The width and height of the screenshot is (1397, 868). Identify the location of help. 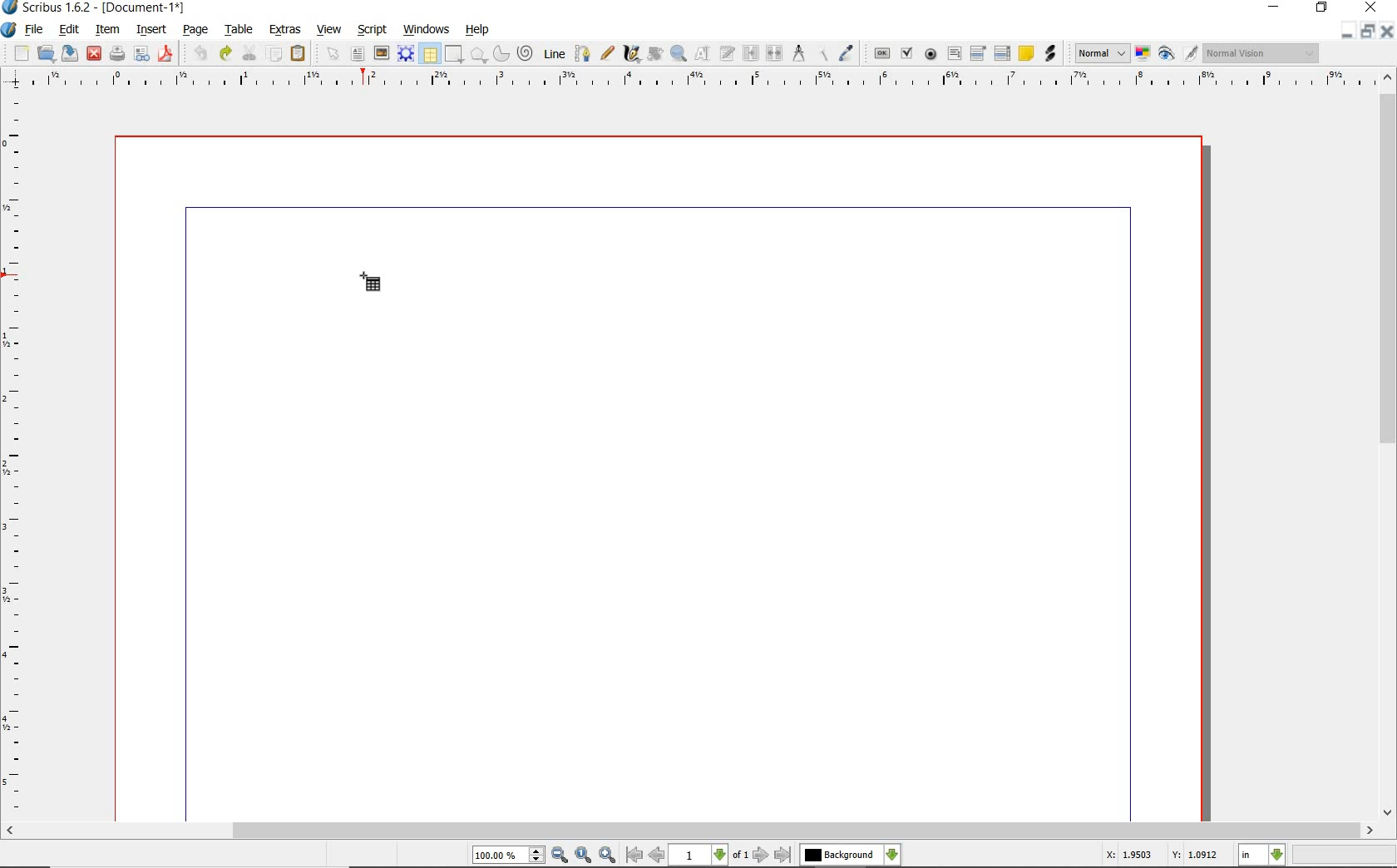
(477, 30).